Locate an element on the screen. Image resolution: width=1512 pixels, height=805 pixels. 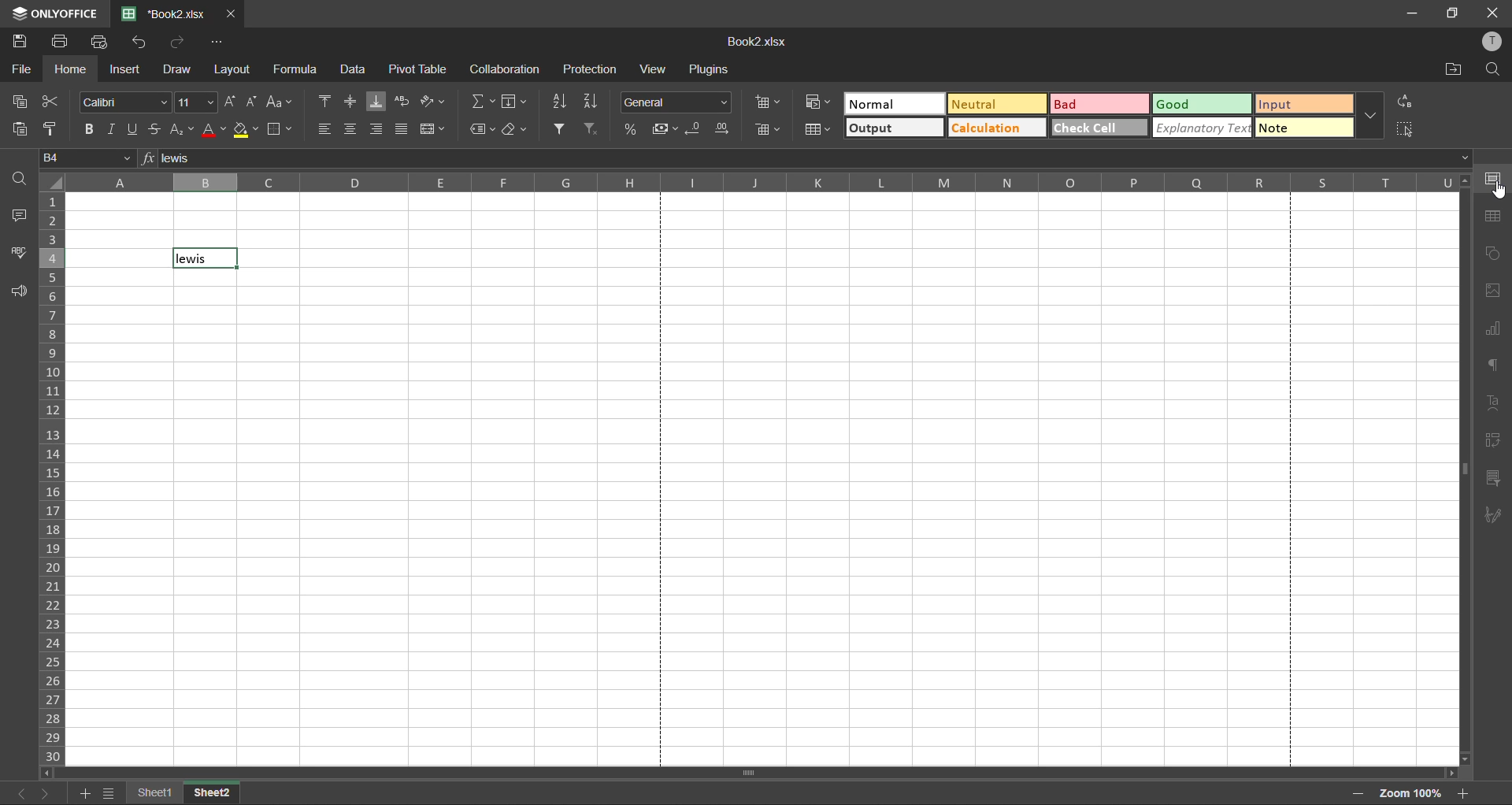
accounting is located at coordinates (665, 129).